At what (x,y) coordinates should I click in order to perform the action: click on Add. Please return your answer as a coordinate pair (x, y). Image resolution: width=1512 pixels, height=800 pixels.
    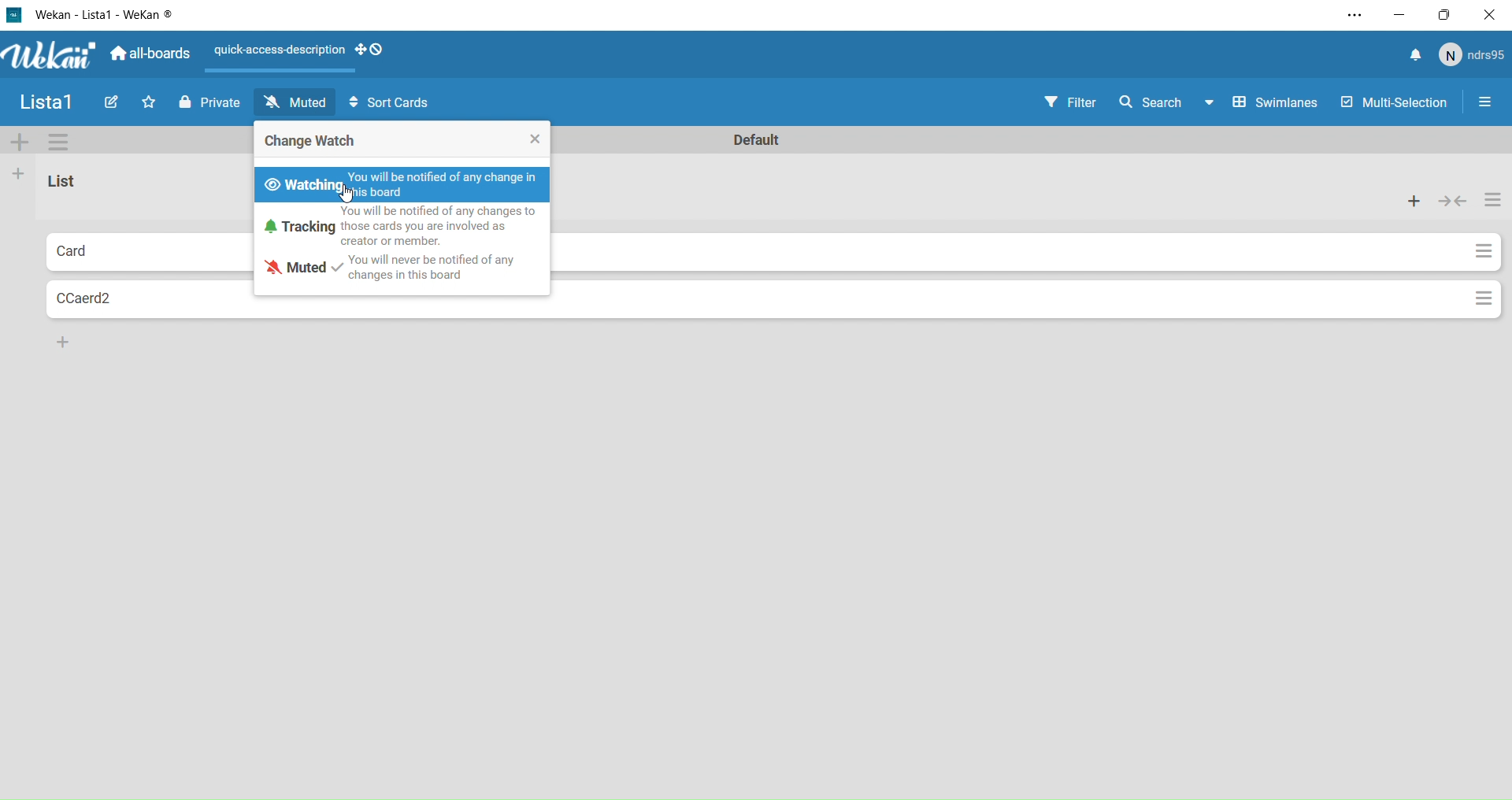
    Looking at the image, I should click on (62, 341).